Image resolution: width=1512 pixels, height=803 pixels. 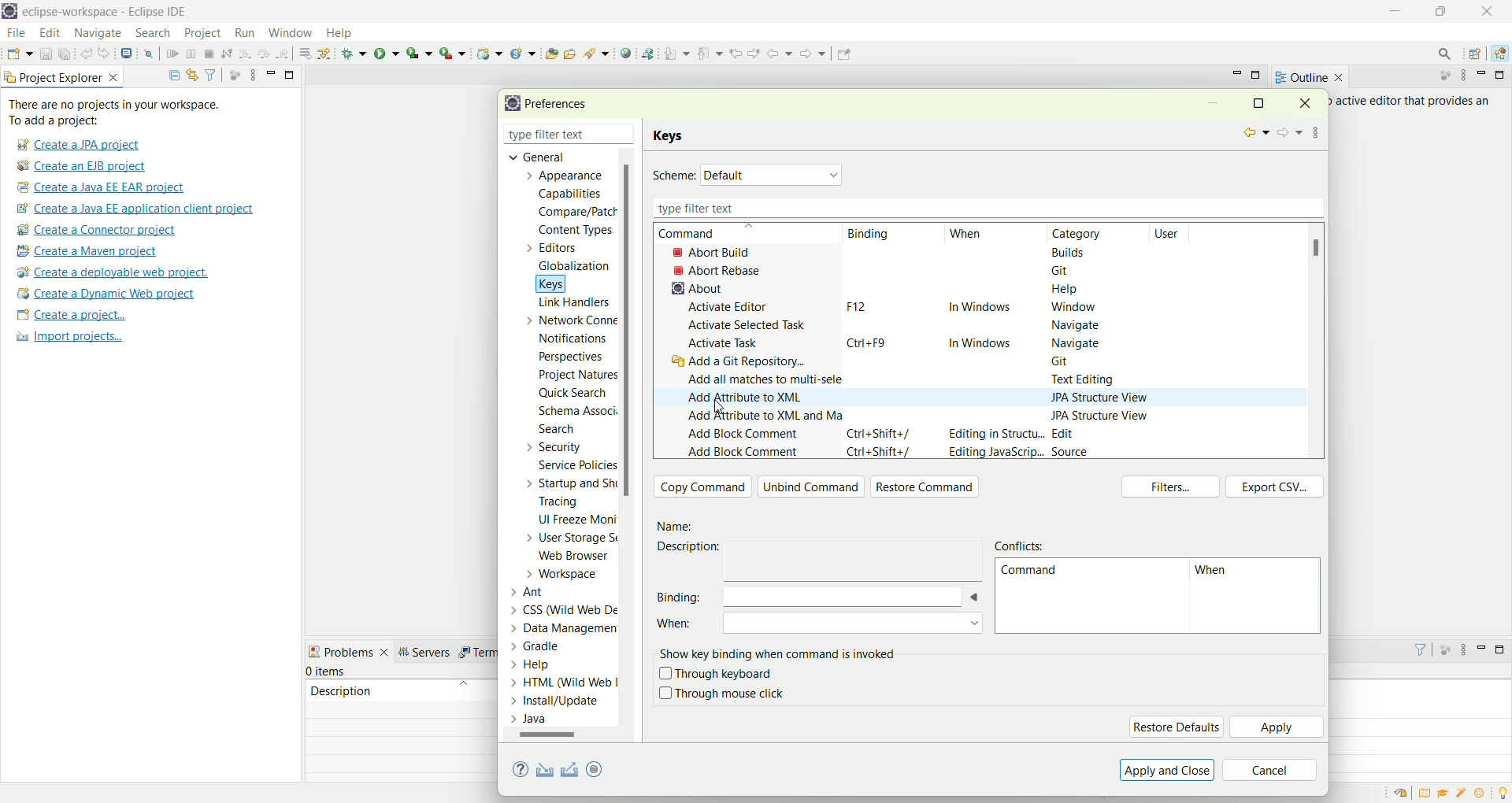 I want to click on security, so click(x=550, y=447).